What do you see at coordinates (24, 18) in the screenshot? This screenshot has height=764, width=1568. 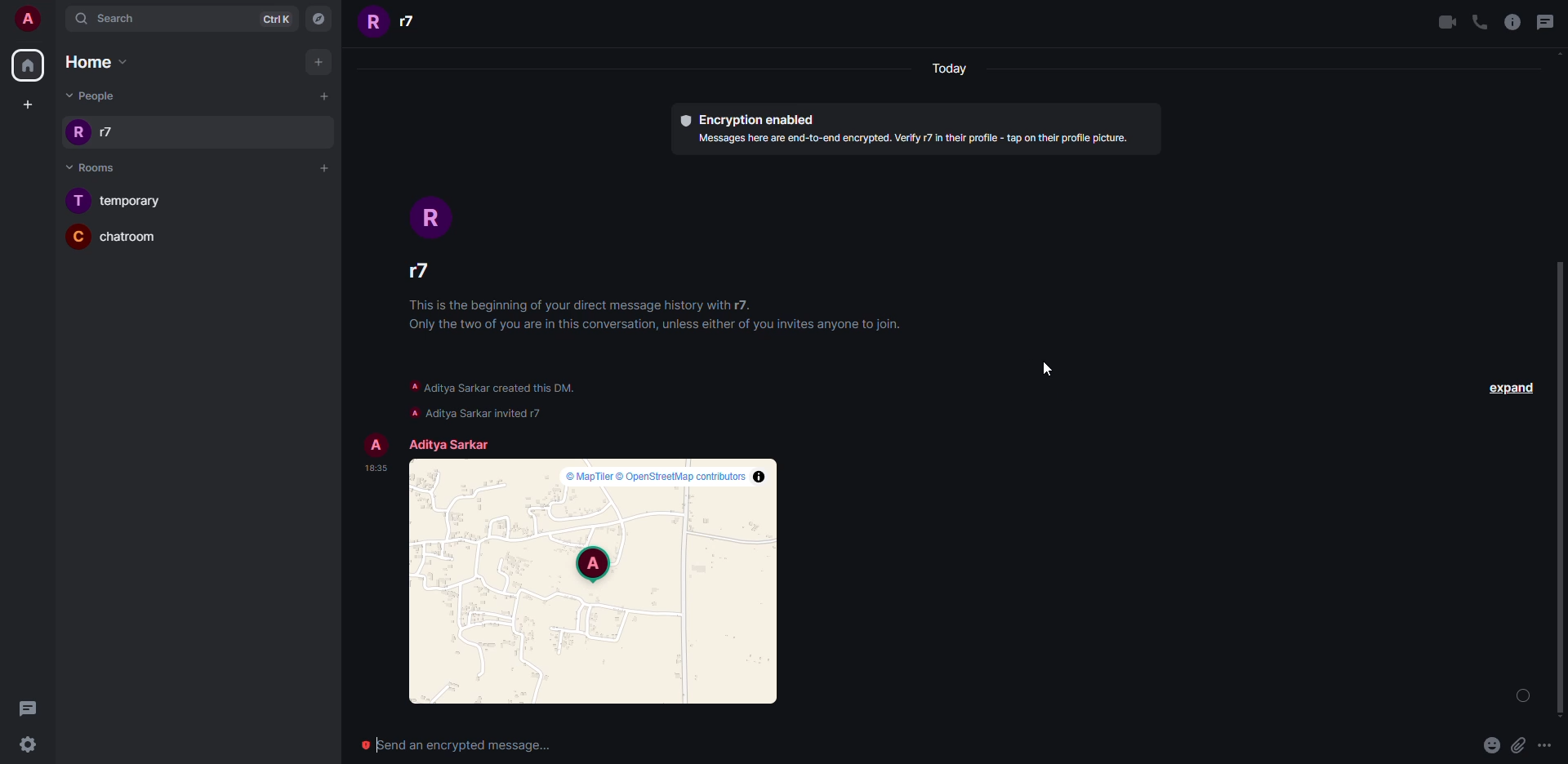 I see `User` at bounding box center [24, 18].